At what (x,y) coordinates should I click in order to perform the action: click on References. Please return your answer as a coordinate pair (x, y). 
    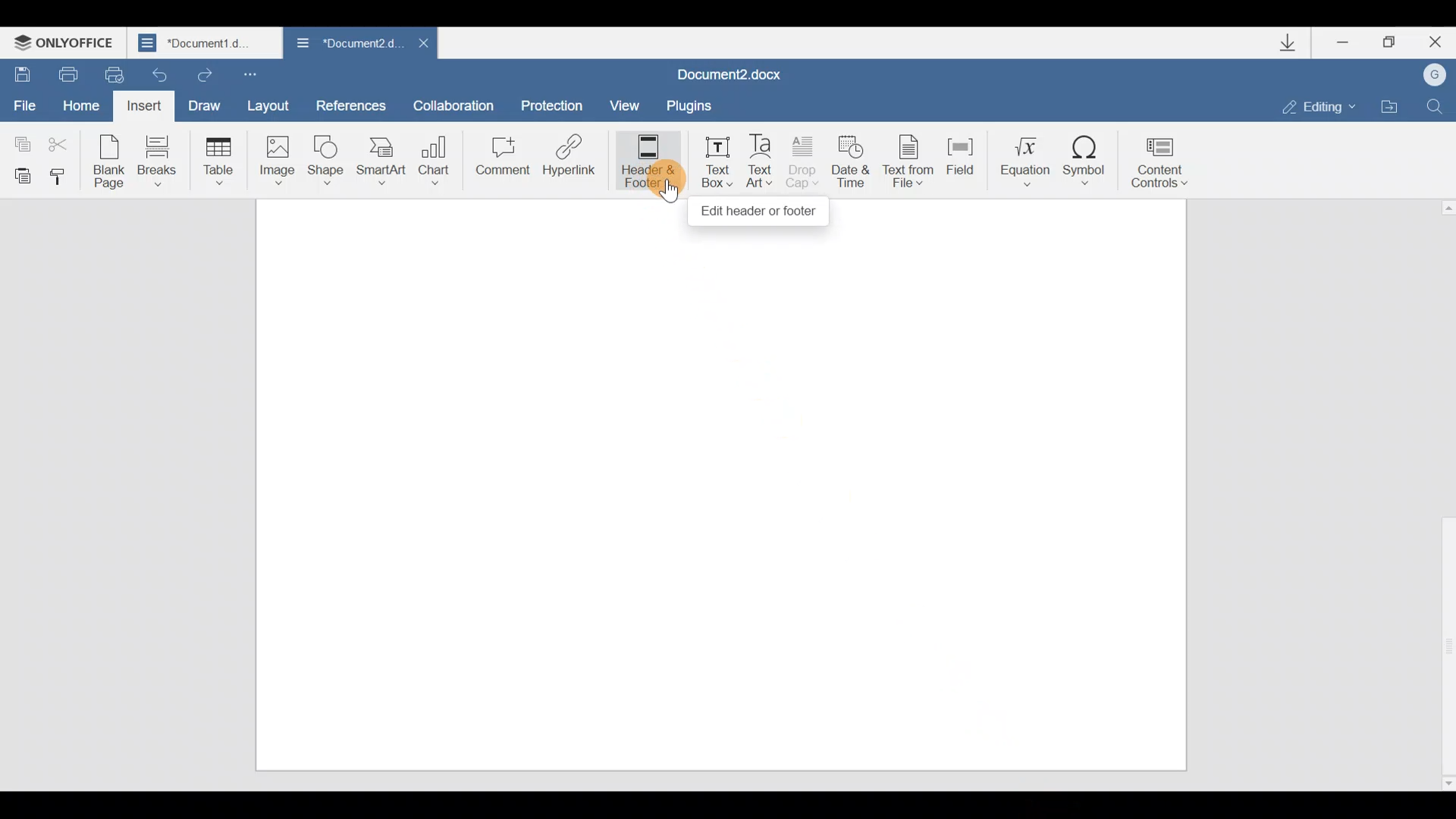
    Looking at the image, I should click on (352, 105).